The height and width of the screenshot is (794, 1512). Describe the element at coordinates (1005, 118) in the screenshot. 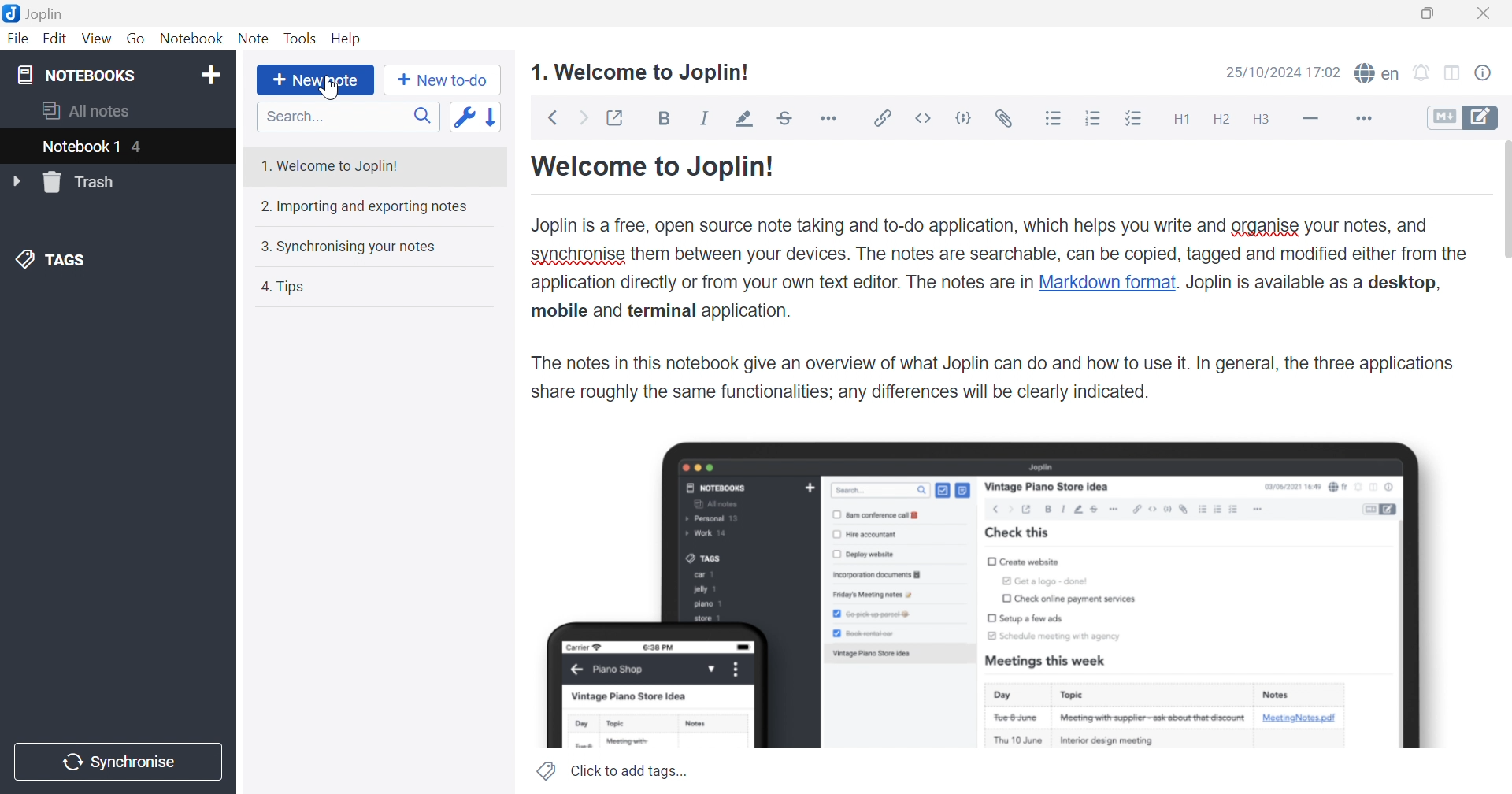

I see `Attach file` at that location.